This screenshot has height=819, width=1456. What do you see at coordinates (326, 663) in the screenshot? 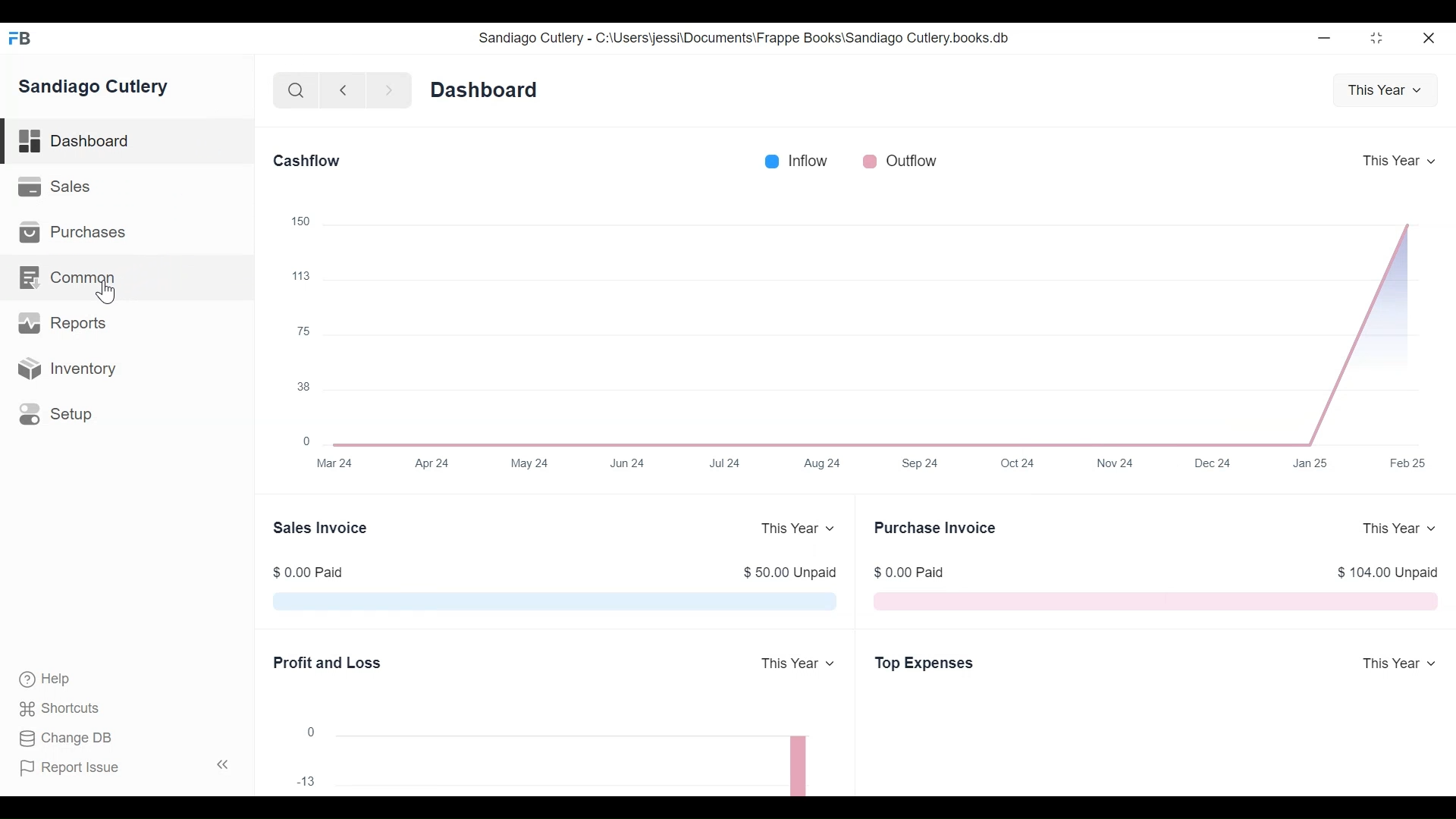
I see `Profit and Loss` at bounding box center [326, 663].